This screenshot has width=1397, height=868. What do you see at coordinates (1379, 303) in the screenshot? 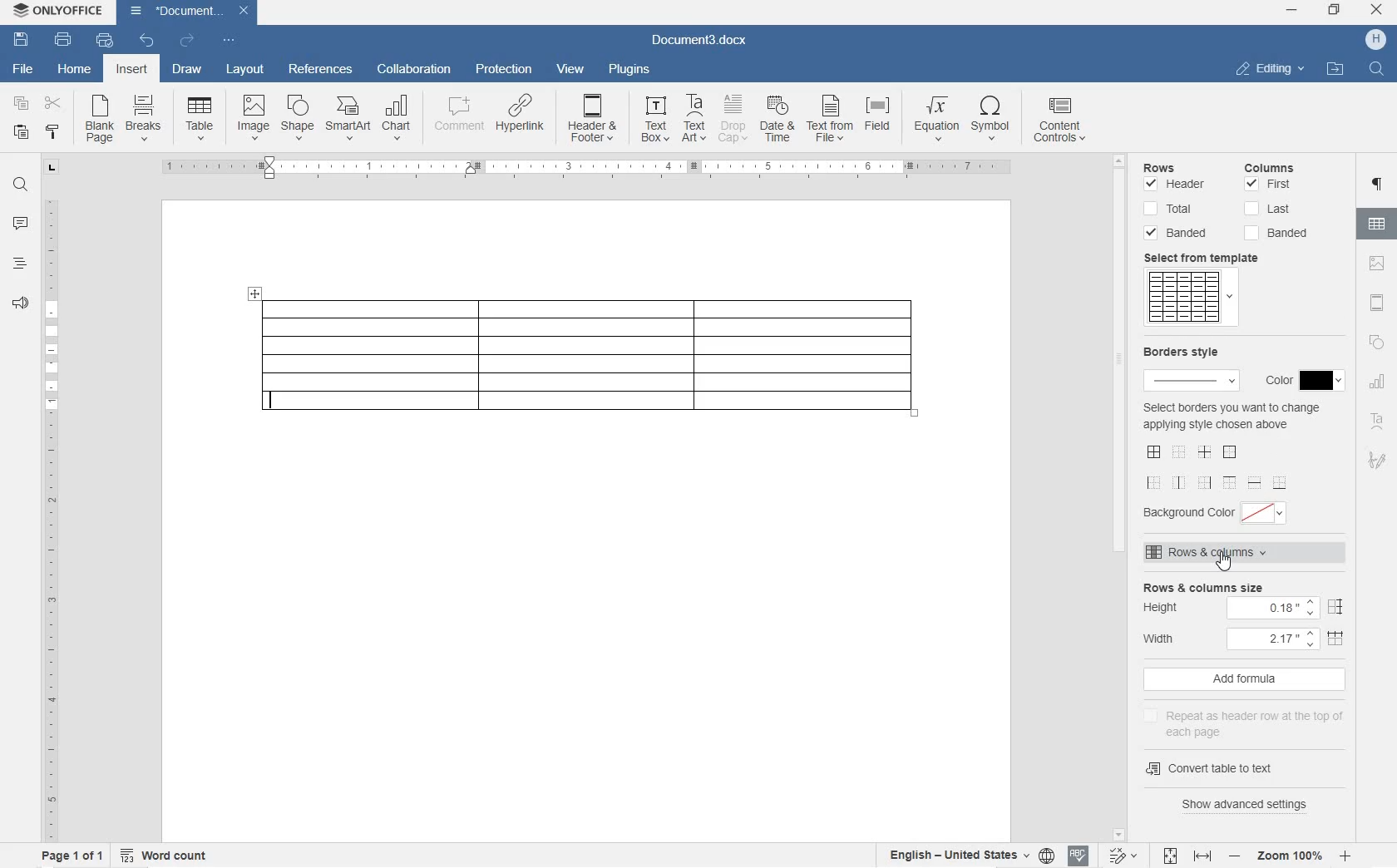
I see `HEADERS & FOOTERS` at bounding box center [1379, 303].